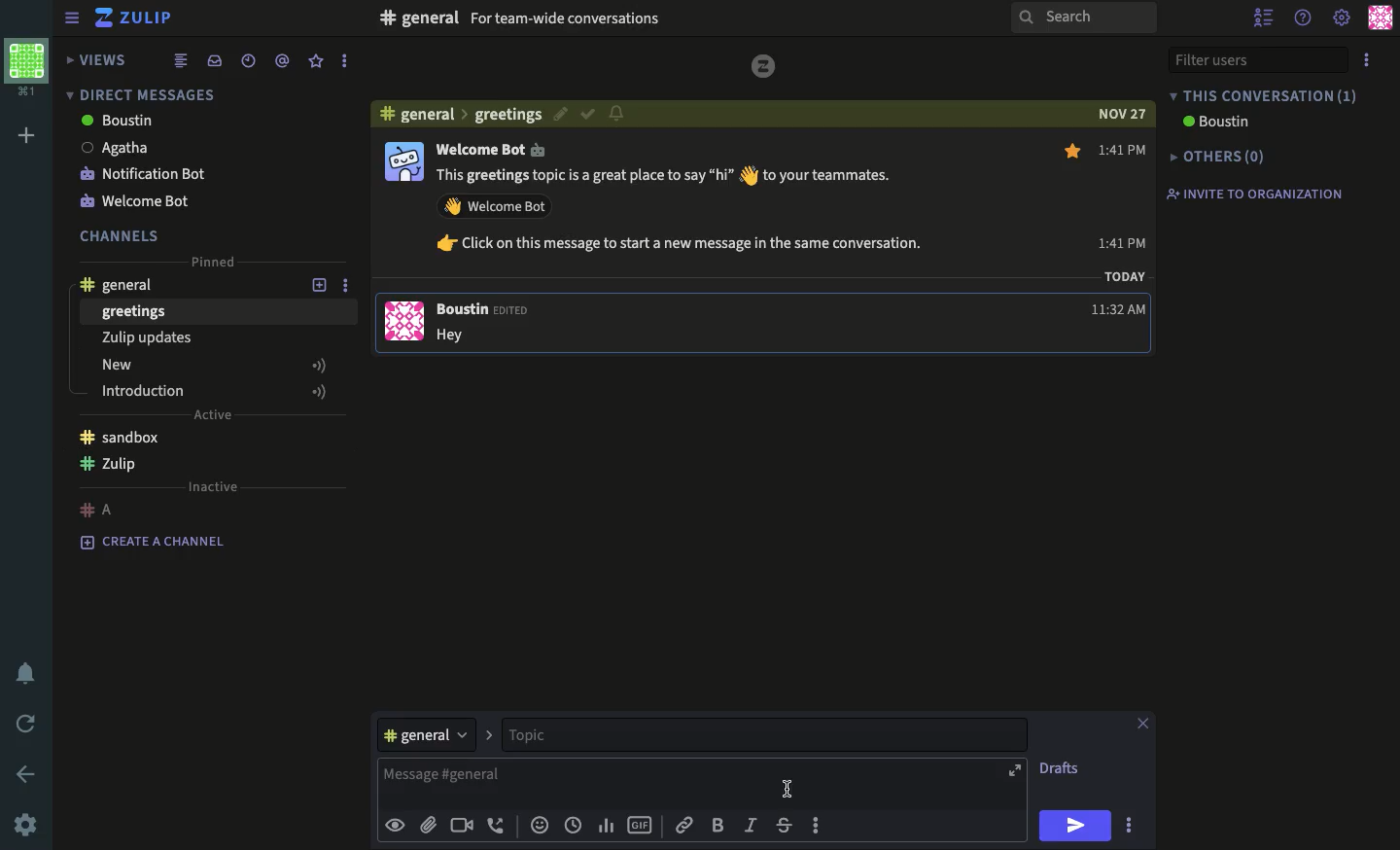 The height and width of the screenshot is (850, 1400). What do you see at coordinates (109, 464) in the screenshot?
I see `Zulip` at bounding box center [109, 464].